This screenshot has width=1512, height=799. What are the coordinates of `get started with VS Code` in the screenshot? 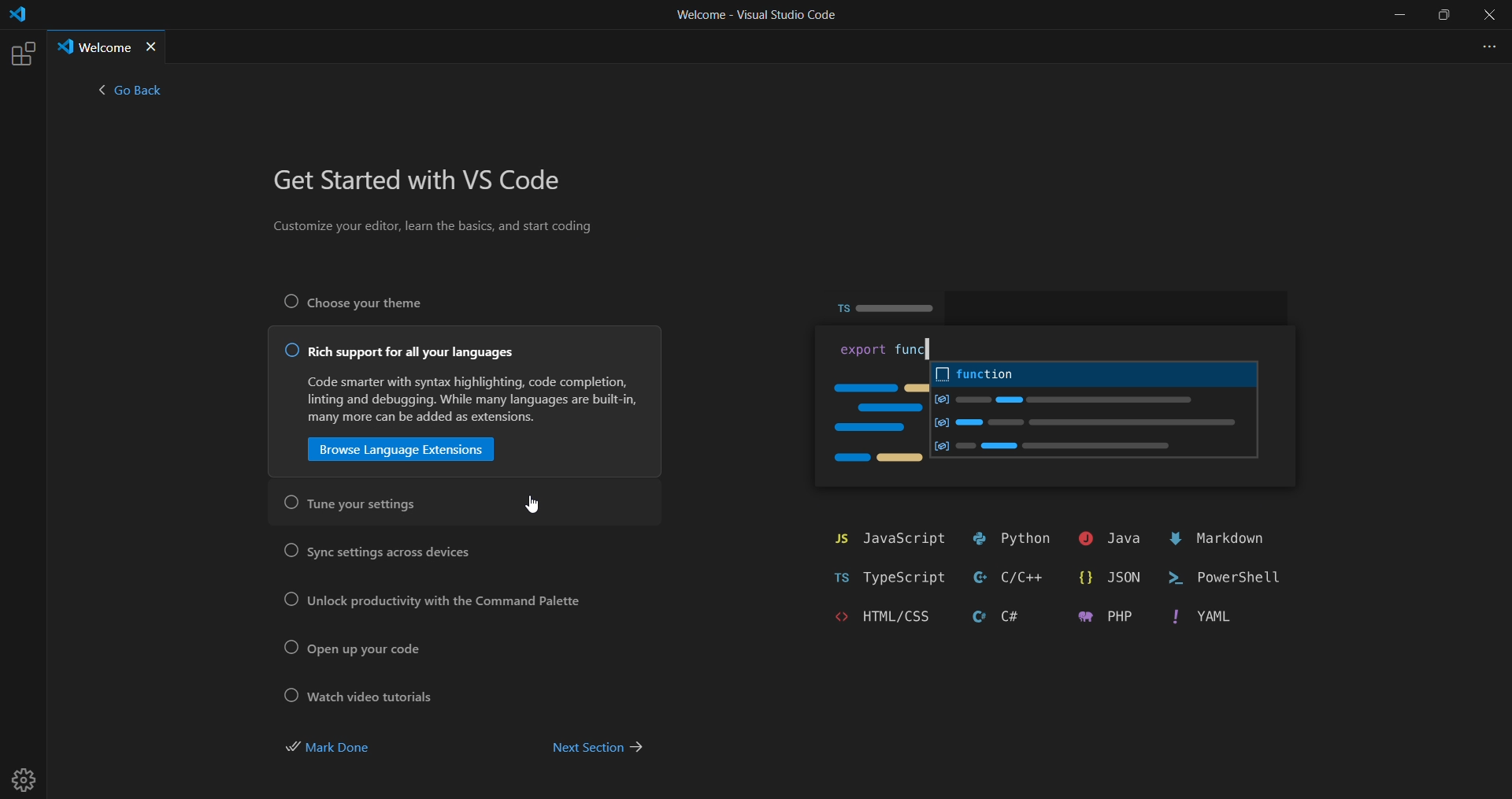 It's located at (424, 182).